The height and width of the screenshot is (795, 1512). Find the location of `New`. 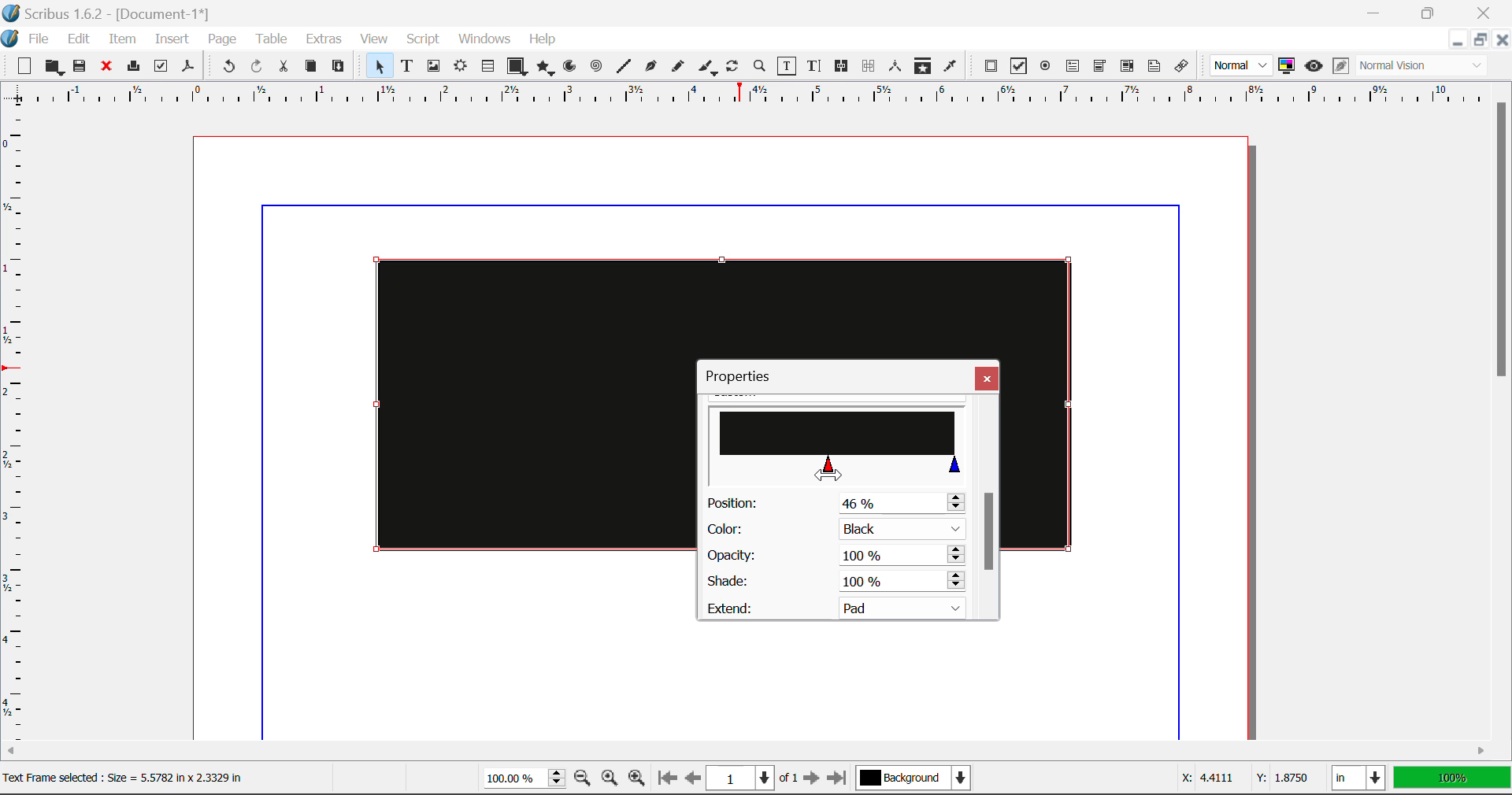

New is located at coordinates (24, 68).